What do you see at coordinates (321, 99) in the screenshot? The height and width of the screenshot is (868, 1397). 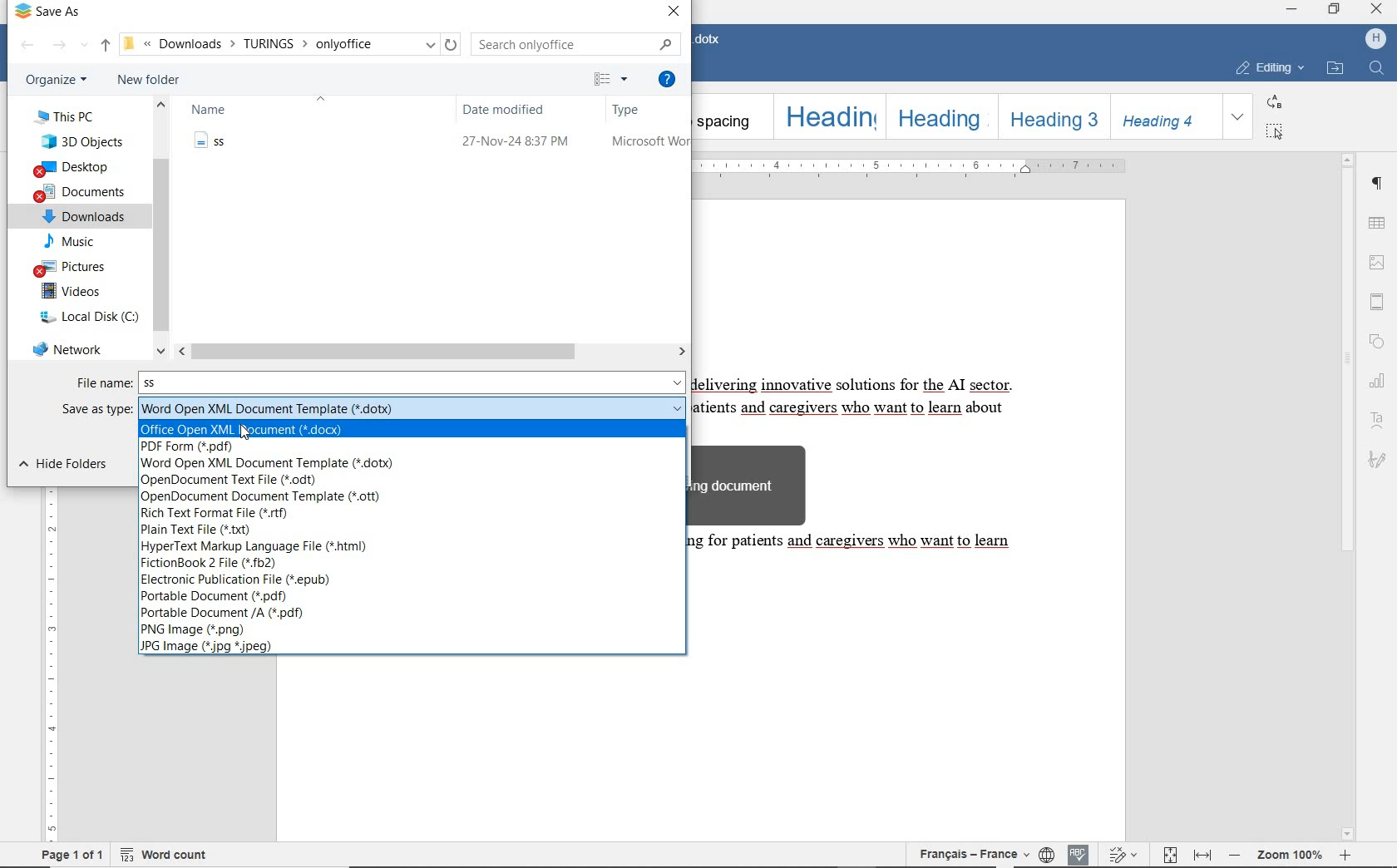 I see `collapse` at bounding box center [321, 99].